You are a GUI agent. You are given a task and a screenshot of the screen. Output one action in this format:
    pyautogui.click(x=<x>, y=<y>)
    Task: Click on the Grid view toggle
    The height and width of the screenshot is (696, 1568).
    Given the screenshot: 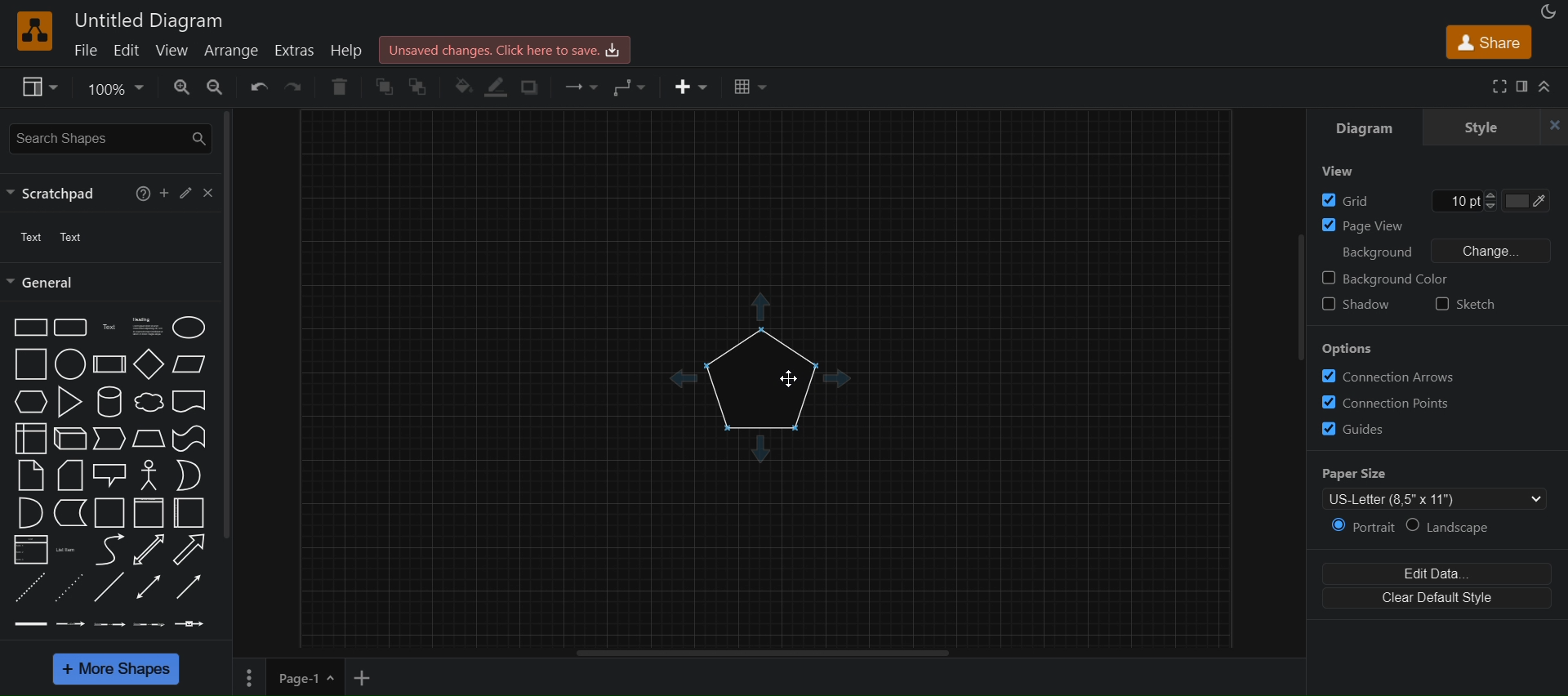 What is the action you would take?
    pyautogui.click(x=1344, y=200)
    